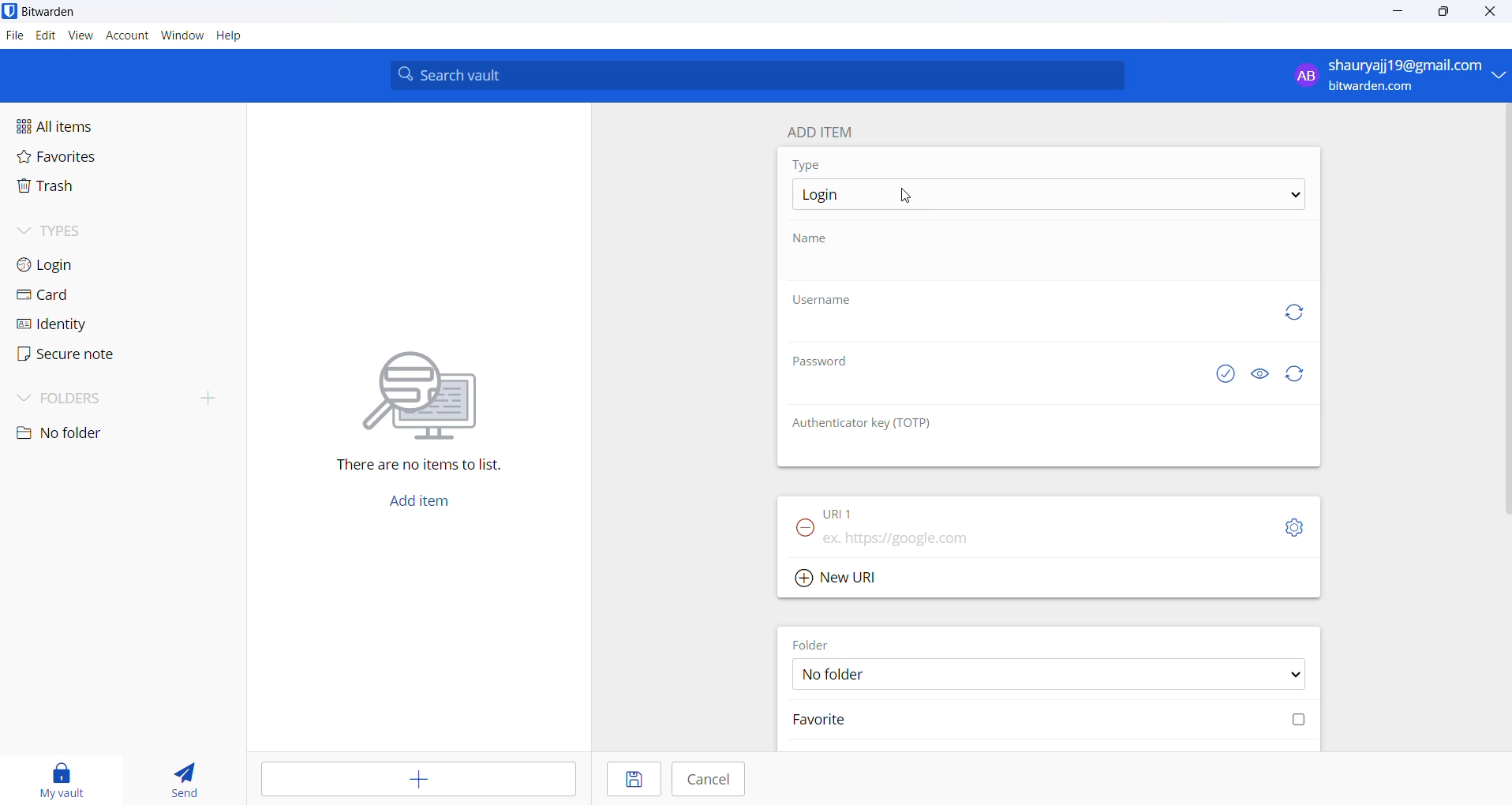  Describe the element at coordinates (1257, 374) in the screenshot. I see `hide` at that location.